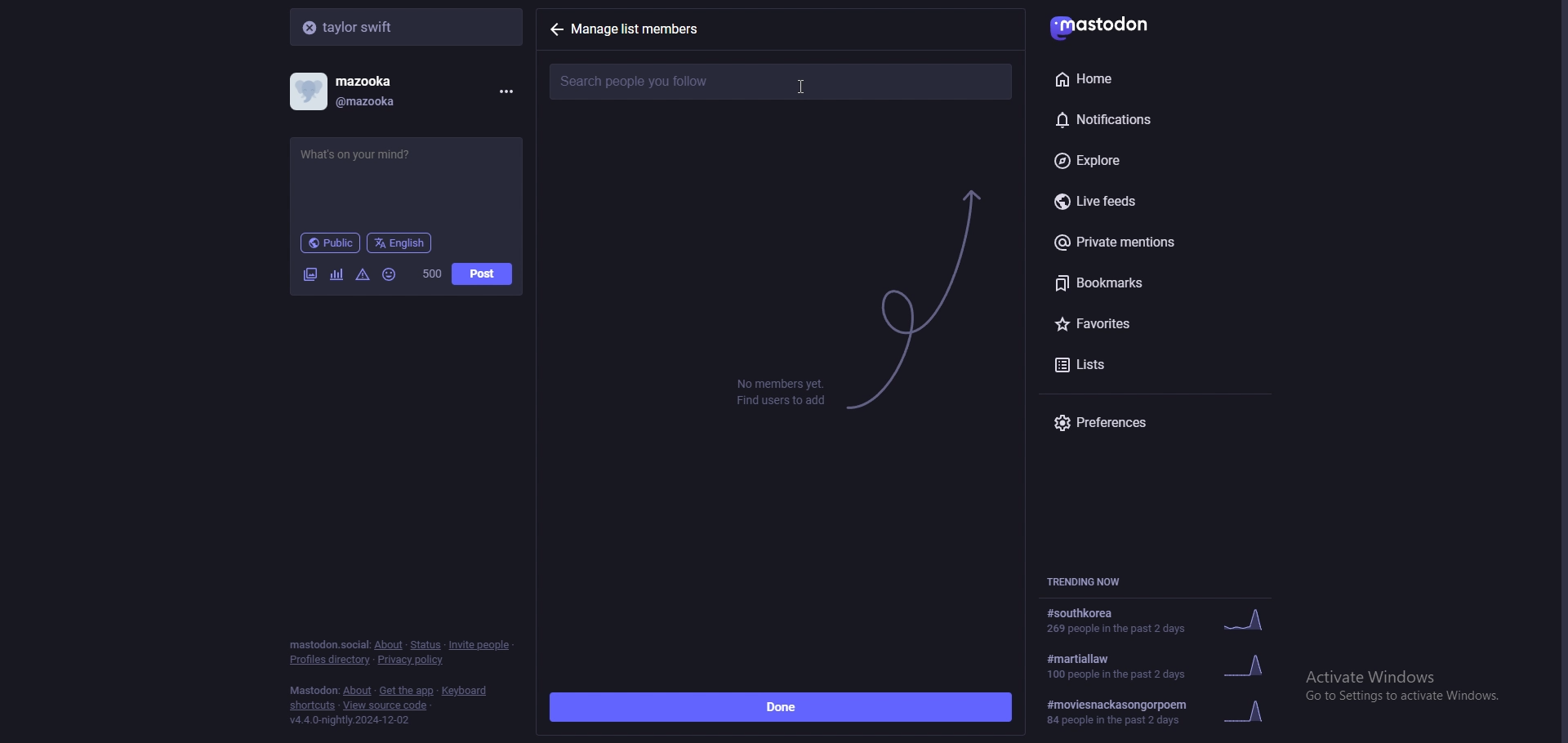  Describe the element at coordinates (1168, 665) in the screenshot. I see `trending` at that location.